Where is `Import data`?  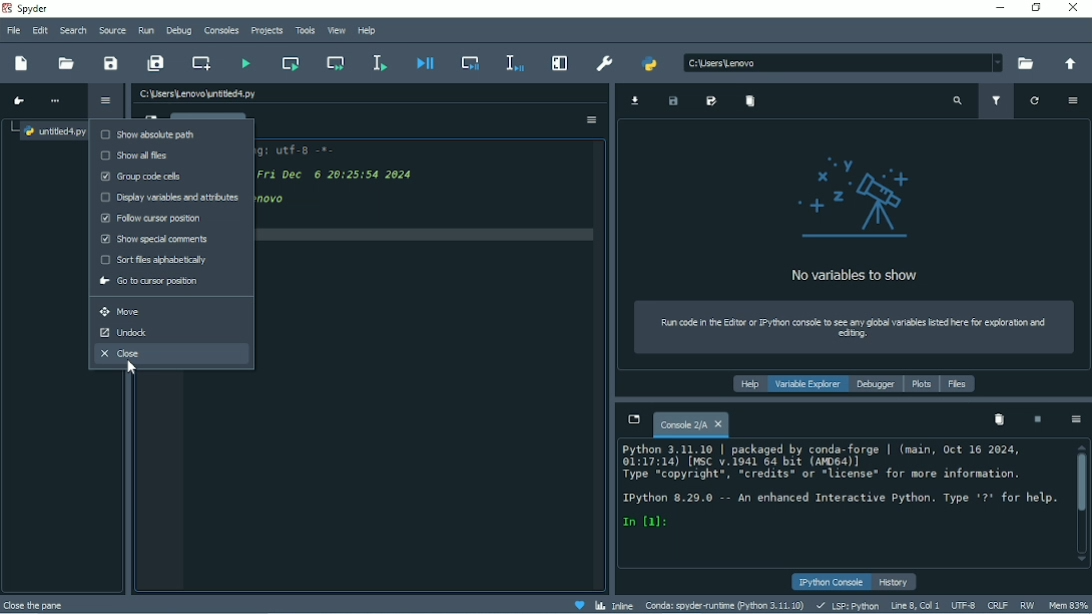
Import data is located at coordinates (635, 103).